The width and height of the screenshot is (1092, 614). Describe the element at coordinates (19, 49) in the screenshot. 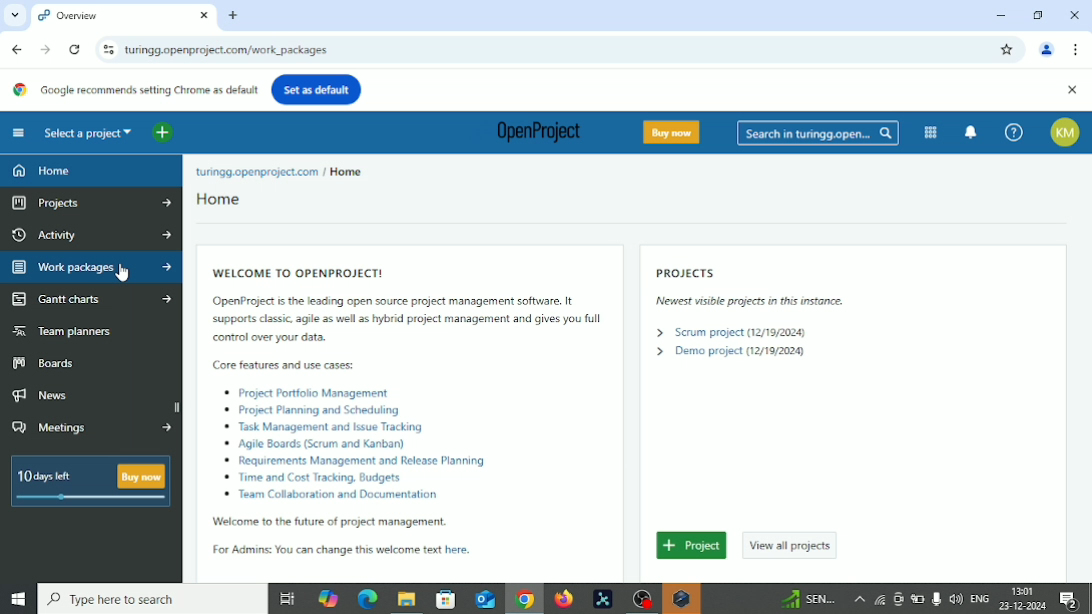

I see `Back` at that location.